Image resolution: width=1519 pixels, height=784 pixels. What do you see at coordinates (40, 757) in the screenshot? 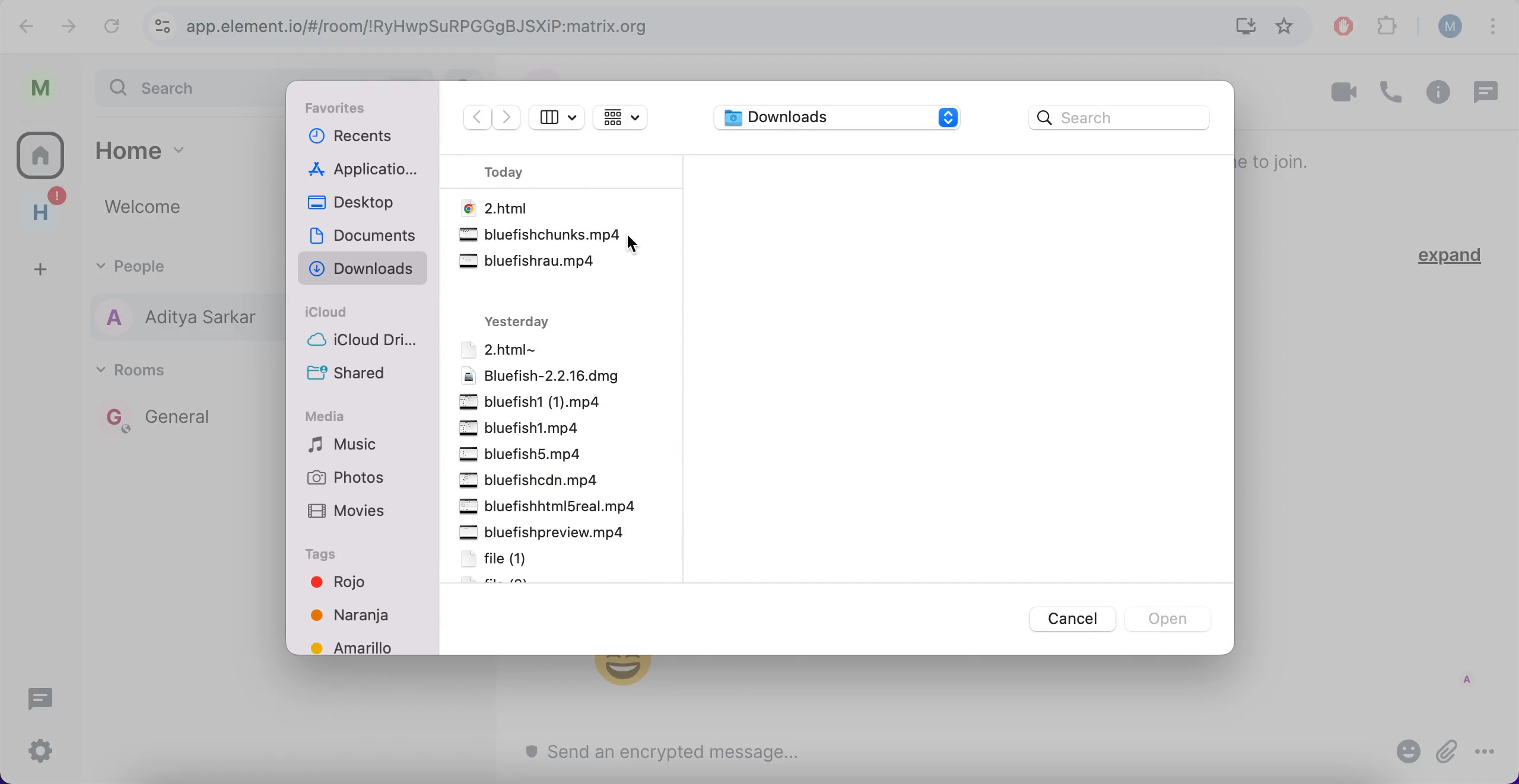
I see `quick settings` at bounding box center [40, 757].